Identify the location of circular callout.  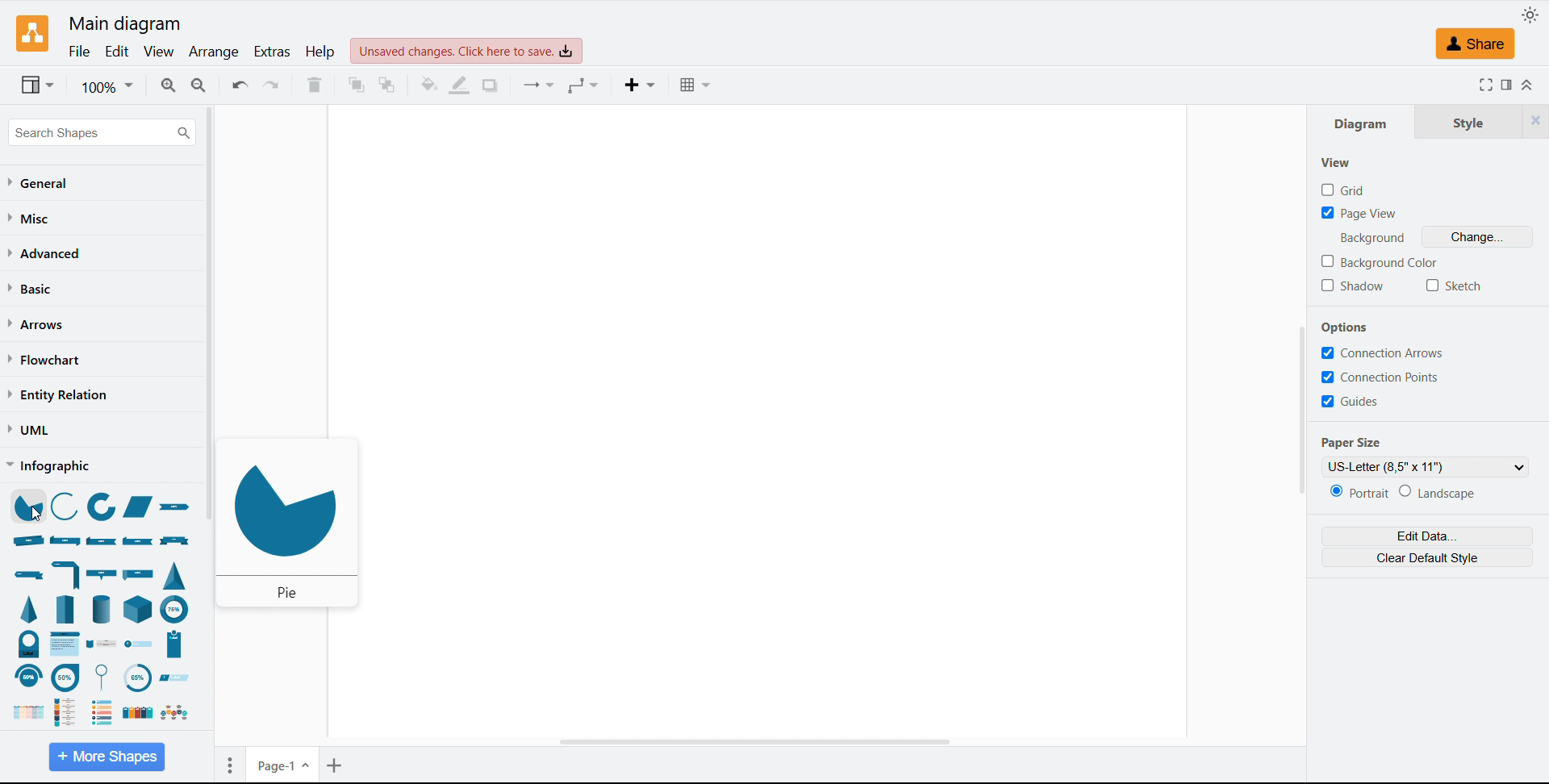
(70, 678).